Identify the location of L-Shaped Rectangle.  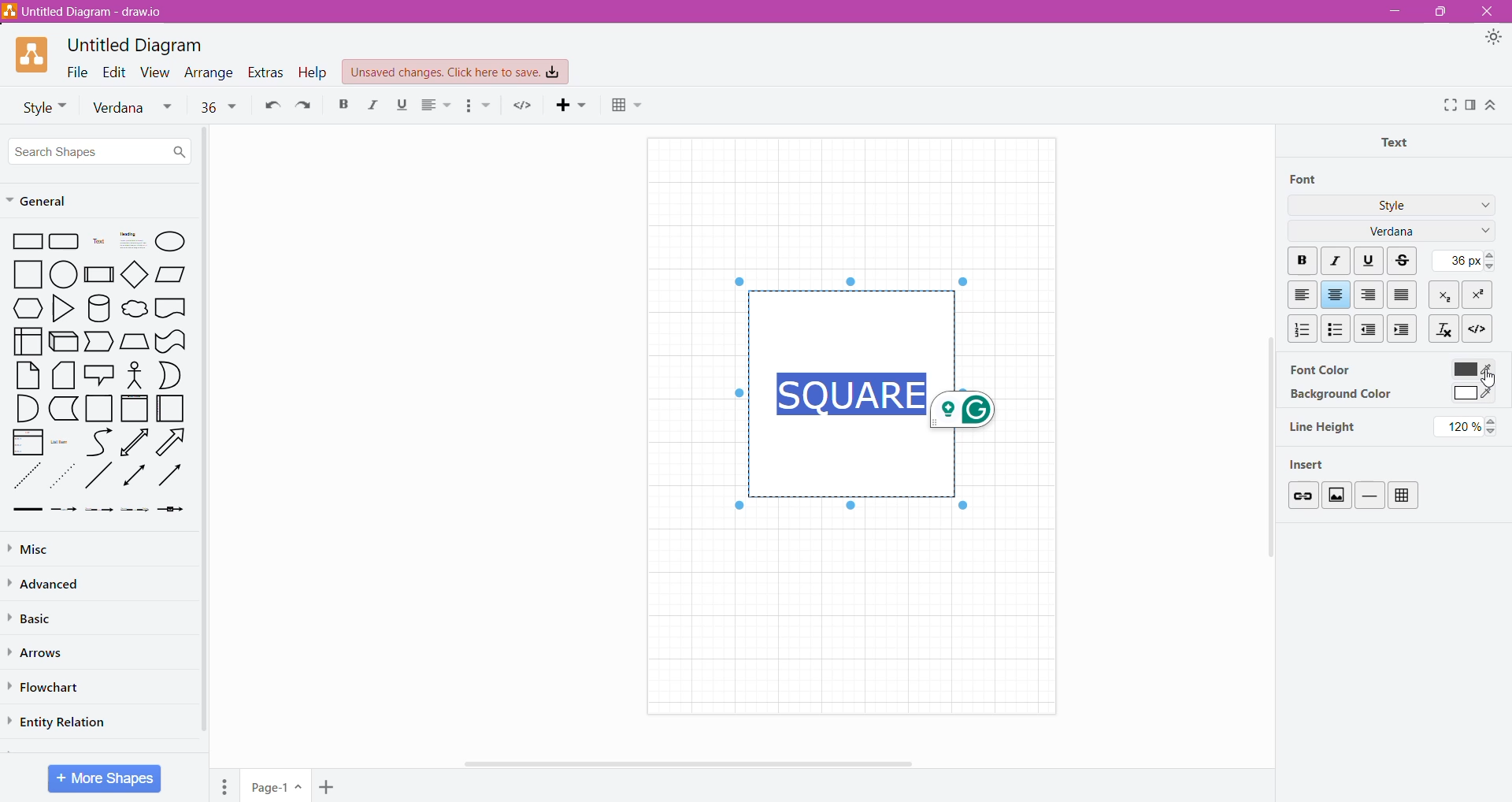
(61, 408).